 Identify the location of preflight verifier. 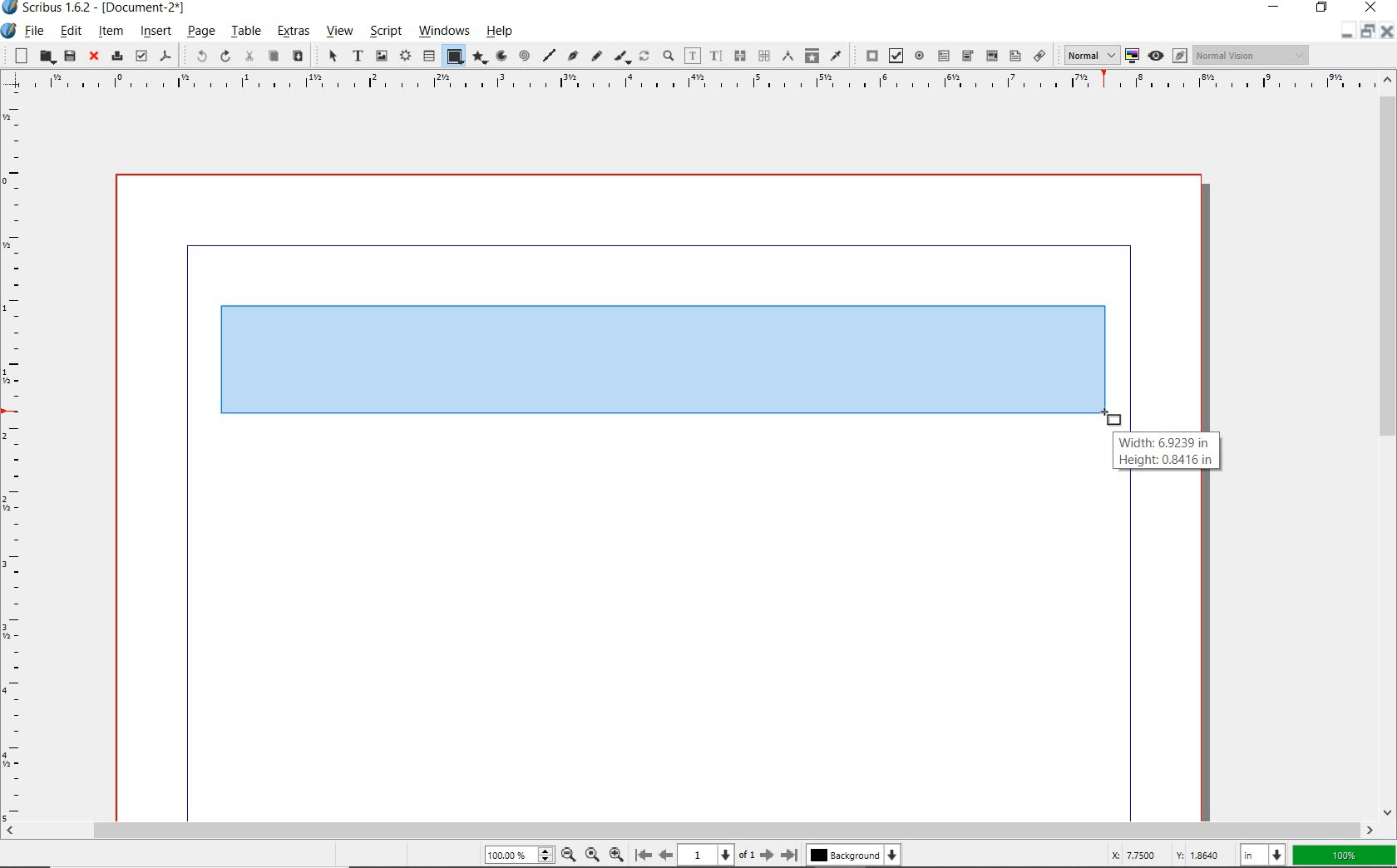
(141, 56).